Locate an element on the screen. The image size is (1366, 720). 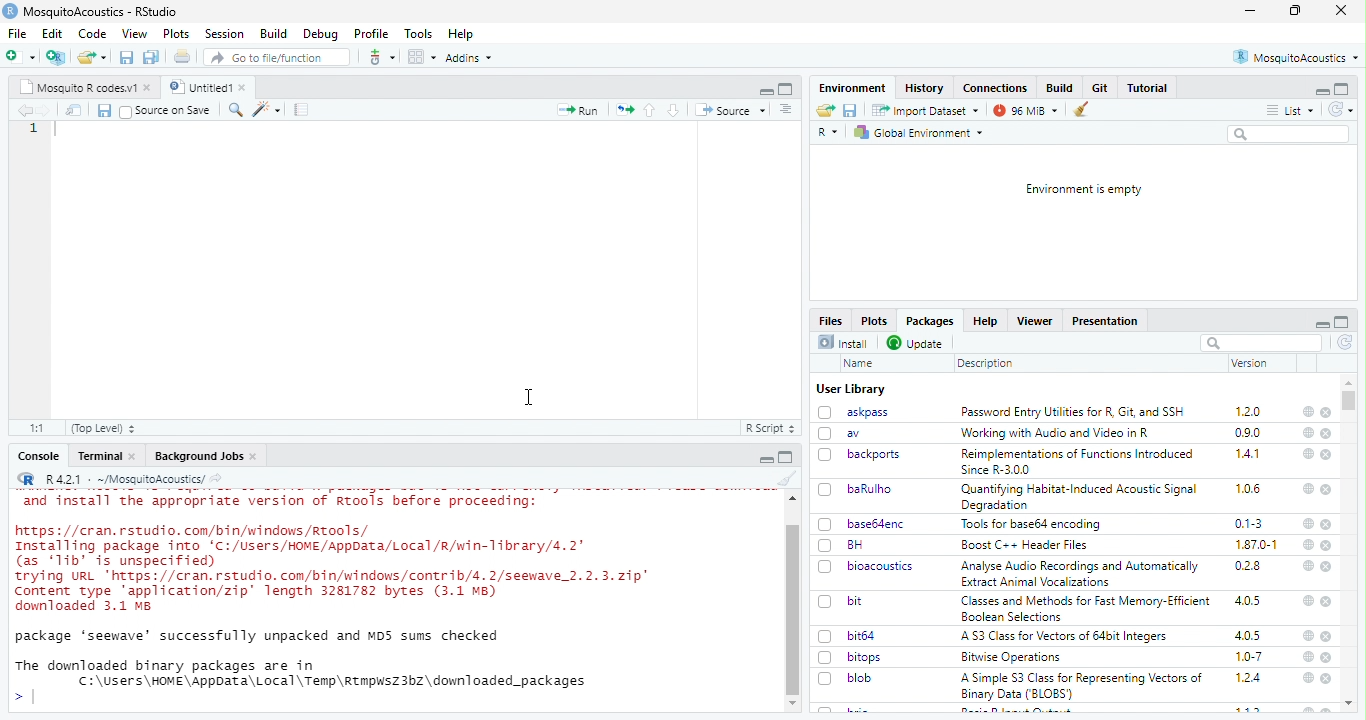
scroll up is located at coordinates (1349, 383).